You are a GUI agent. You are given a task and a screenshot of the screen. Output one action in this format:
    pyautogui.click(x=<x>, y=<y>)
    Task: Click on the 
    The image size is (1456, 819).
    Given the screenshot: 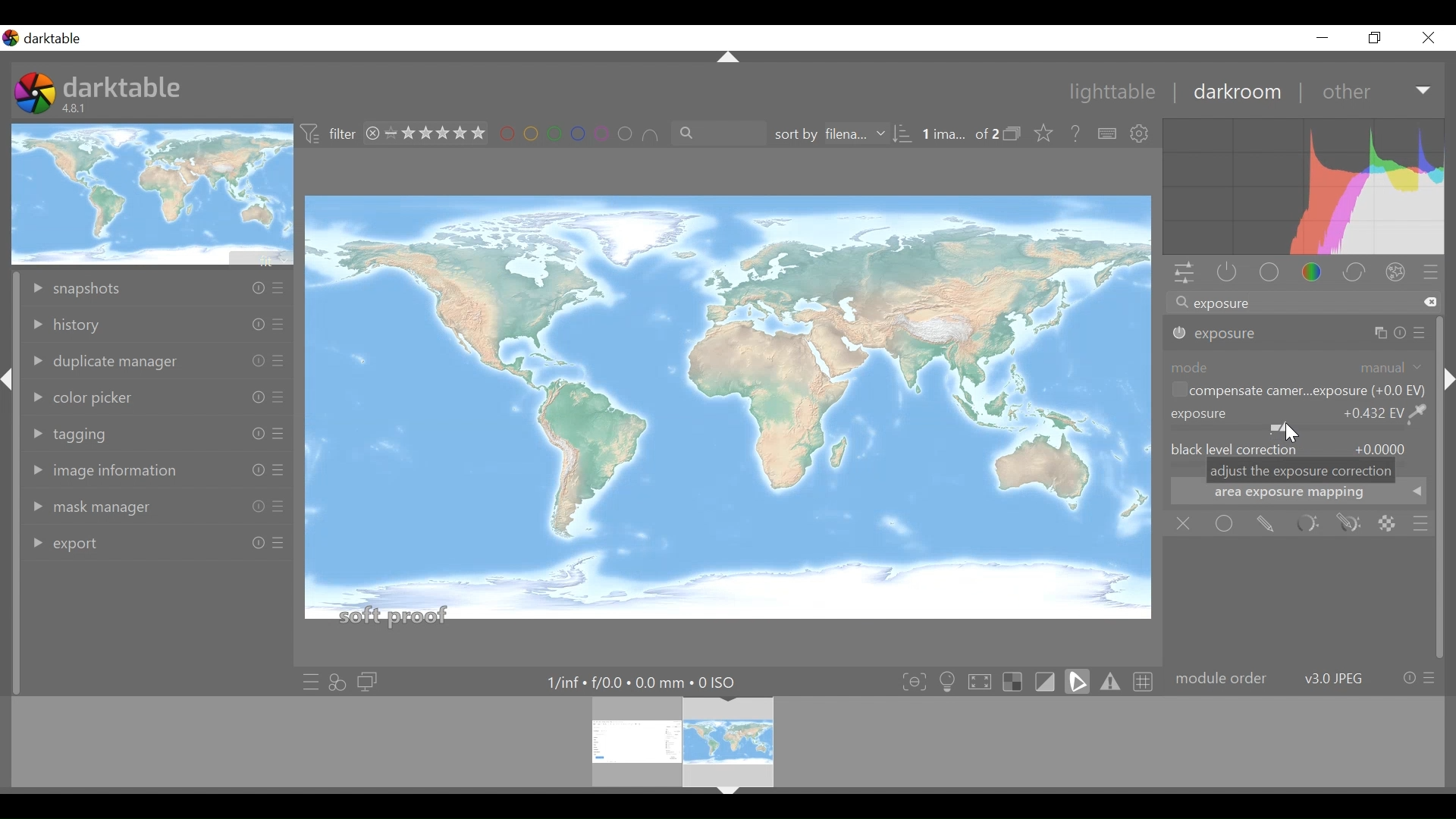 What is the action you would take?
    pyautogui.click(x=1376, y=37)
    